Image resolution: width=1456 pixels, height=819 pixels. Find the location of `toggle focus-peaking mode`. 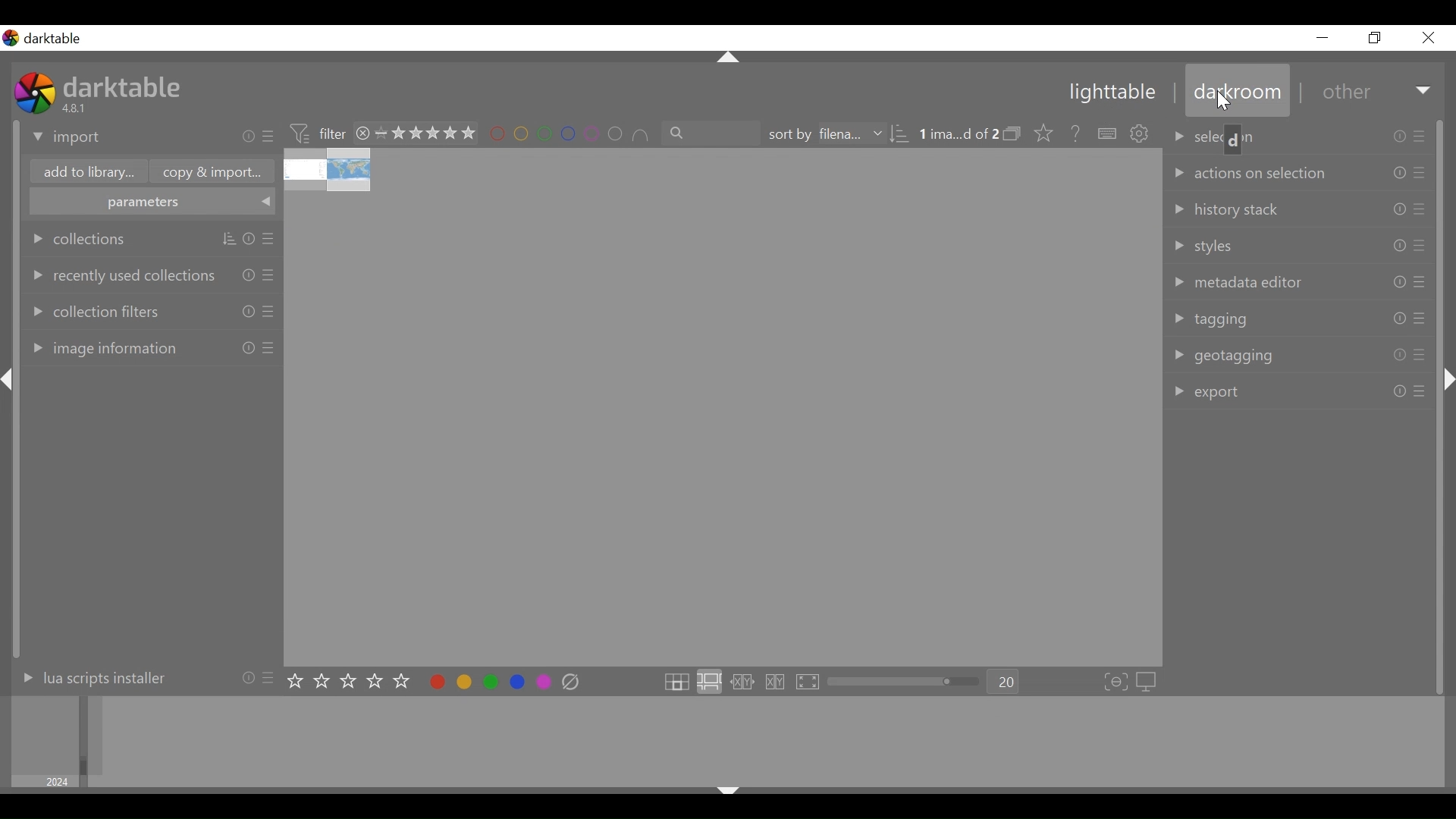

toggle focus-peaking mode is located at coordinates (1116, 682).